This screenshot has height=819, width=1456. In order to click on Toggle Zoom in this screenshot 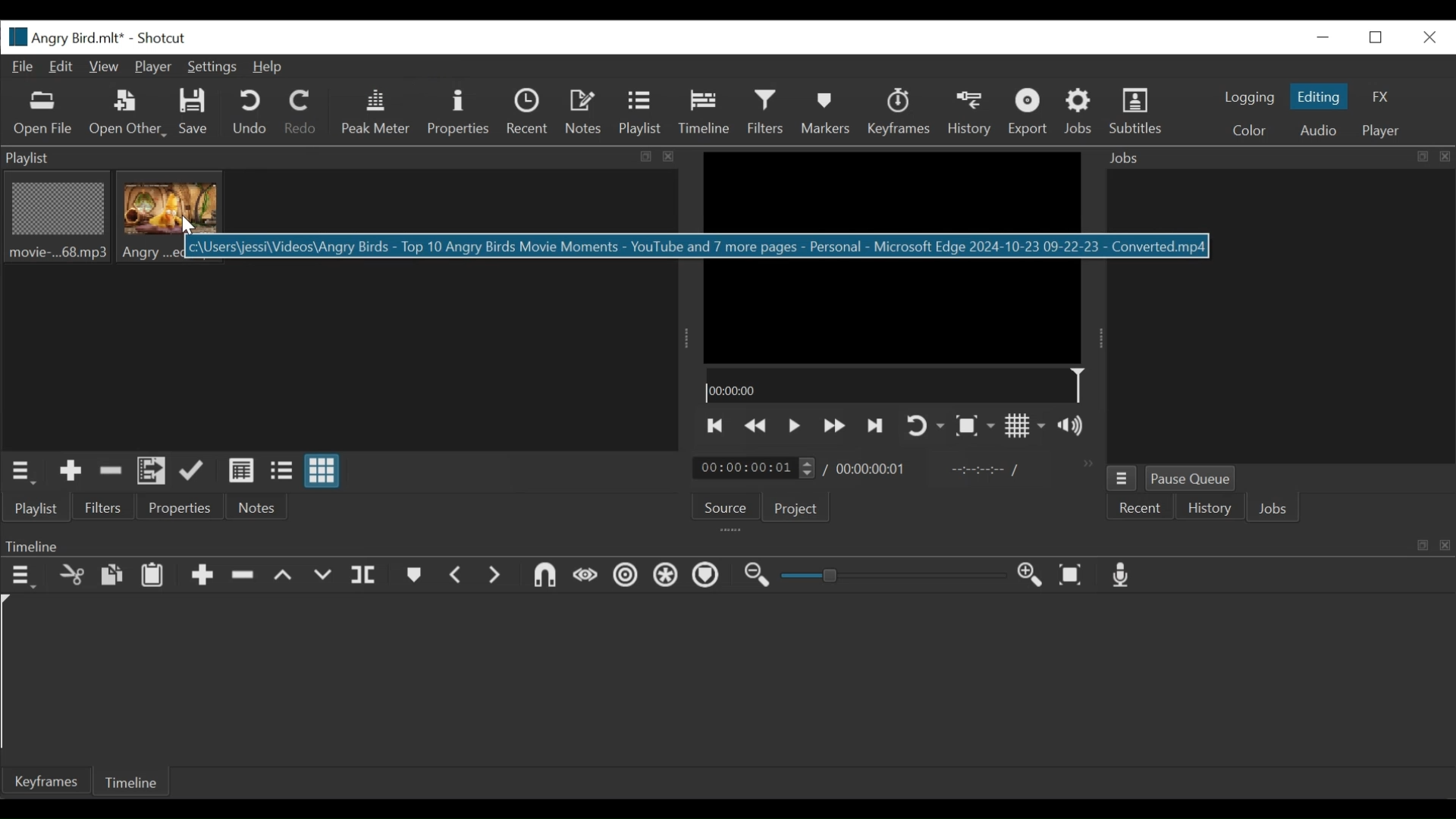, I will do `click(974, 426)`.